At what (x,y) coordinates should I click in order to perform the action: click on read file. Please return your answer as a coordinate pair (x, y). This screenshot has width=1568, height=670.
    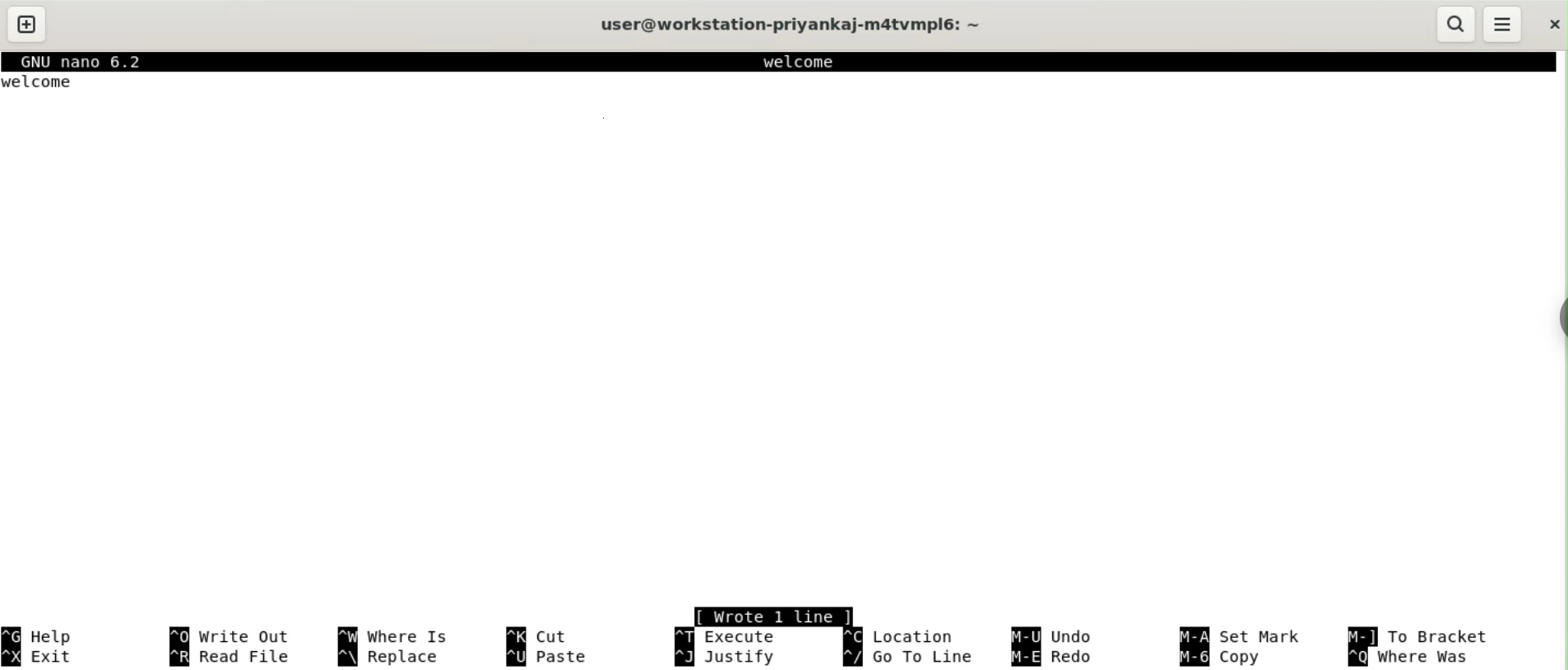
    Looking at the image, I should click on (233, 658).